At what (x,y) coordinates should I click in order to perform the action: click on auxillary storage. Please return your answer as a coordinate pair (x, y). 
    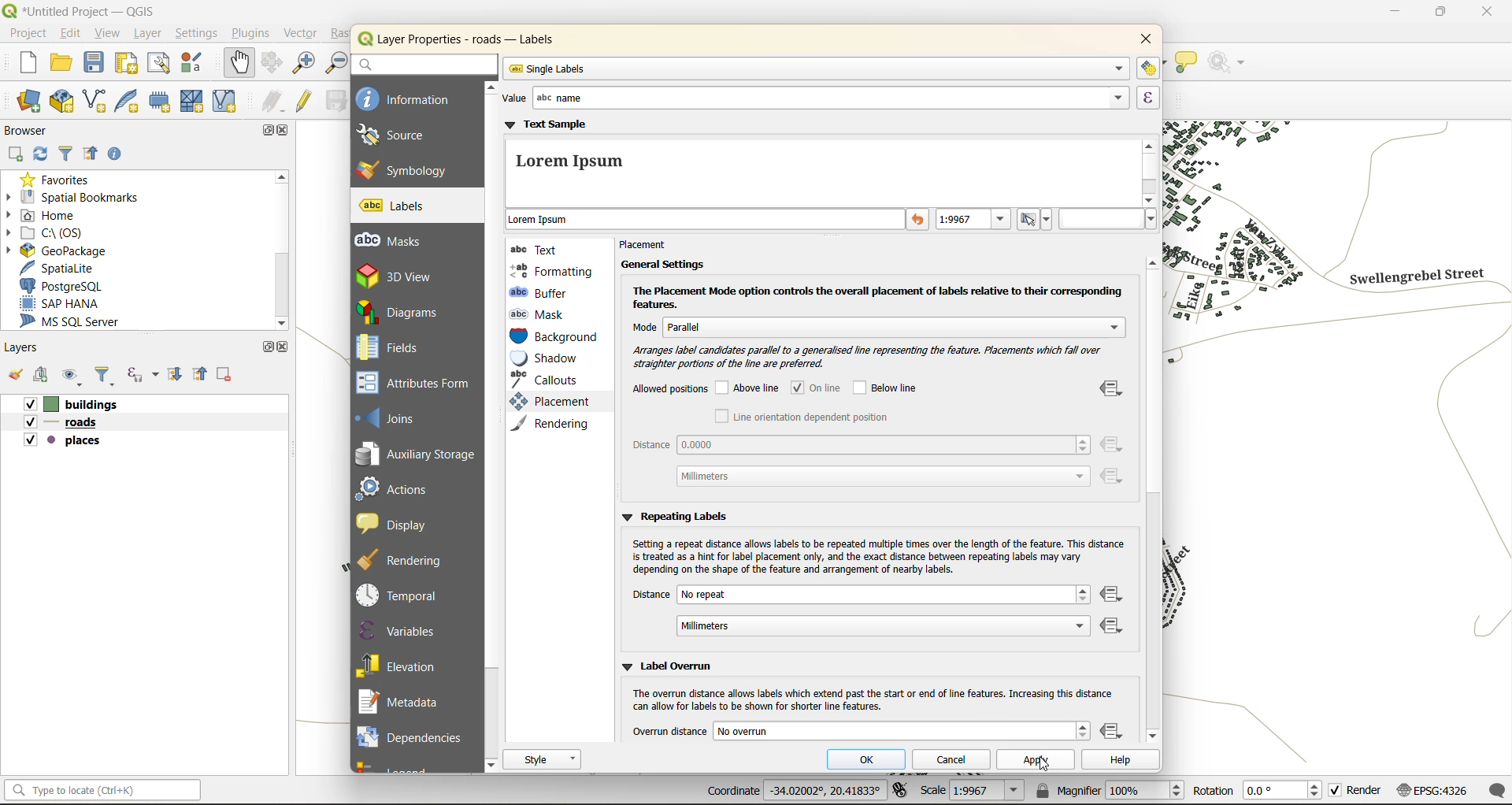
    Looking at the image, I should click on (417, 457).